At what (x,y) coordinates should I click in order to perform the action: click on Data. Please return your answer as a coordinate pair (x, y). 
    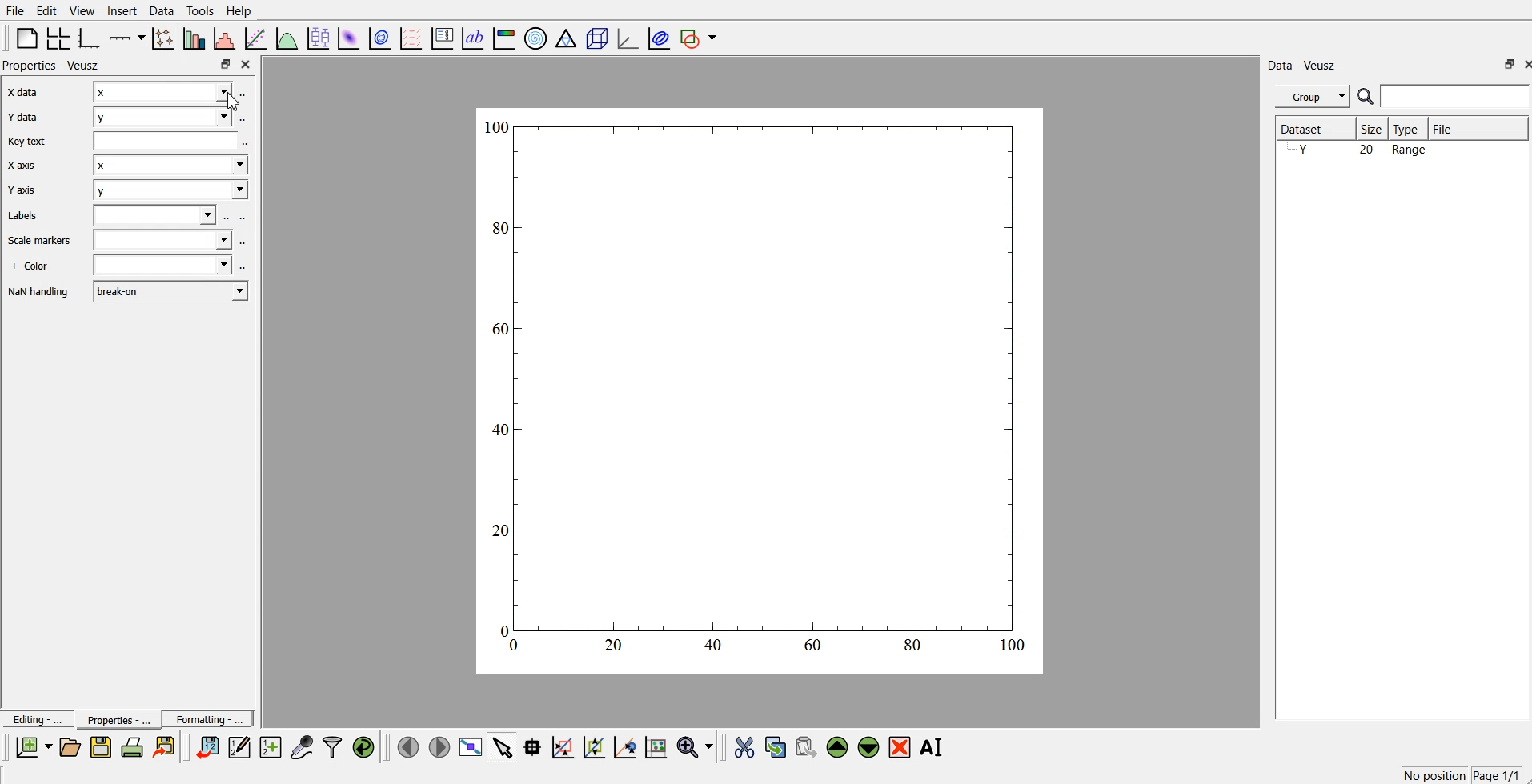
    Looking at the image, I should click on (162, 10).